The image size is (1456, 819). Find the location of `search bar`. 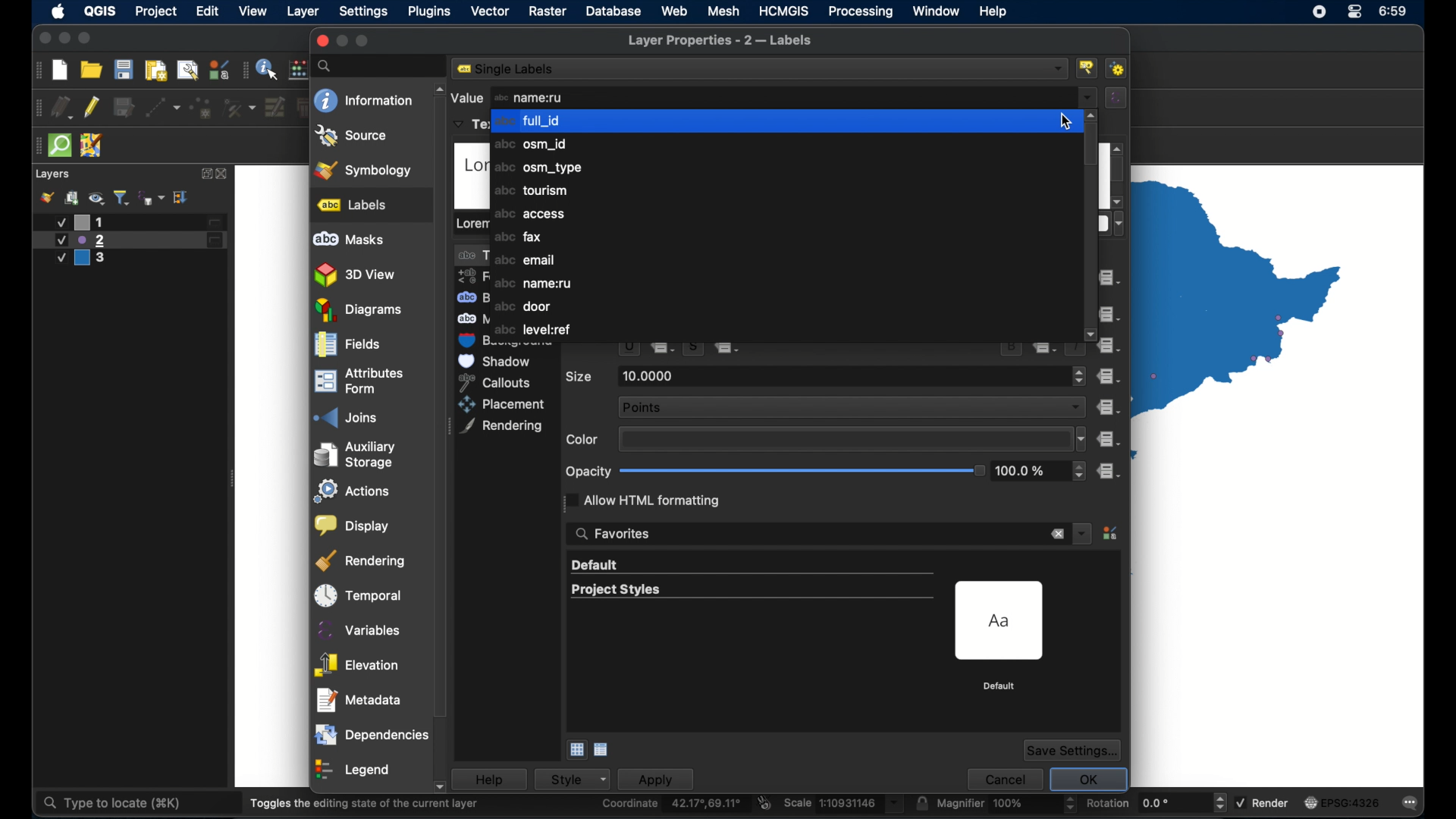

search bar is located at coordinates (381, 66).